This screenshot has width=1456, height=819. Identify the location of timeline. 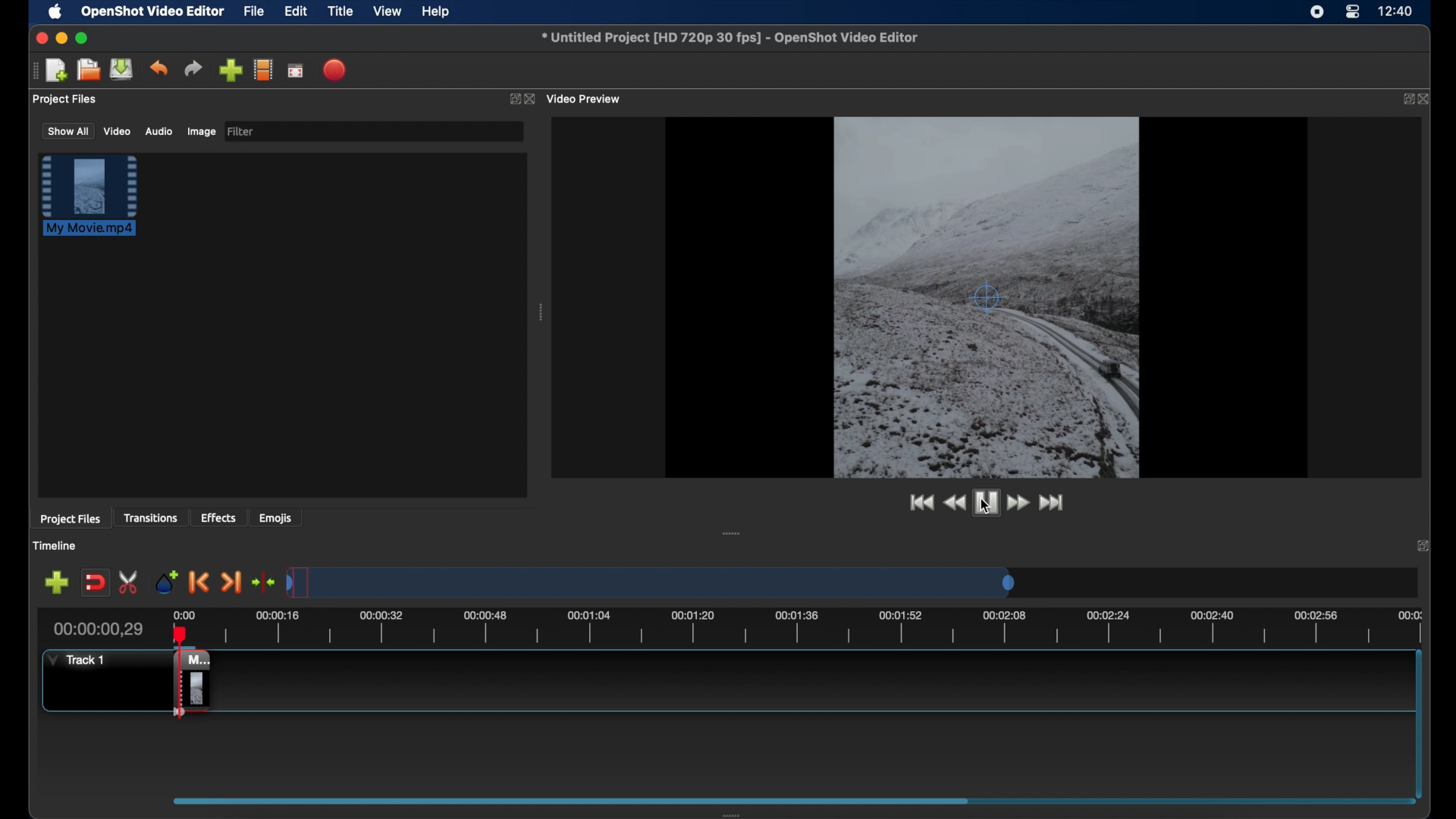
(57, 547).